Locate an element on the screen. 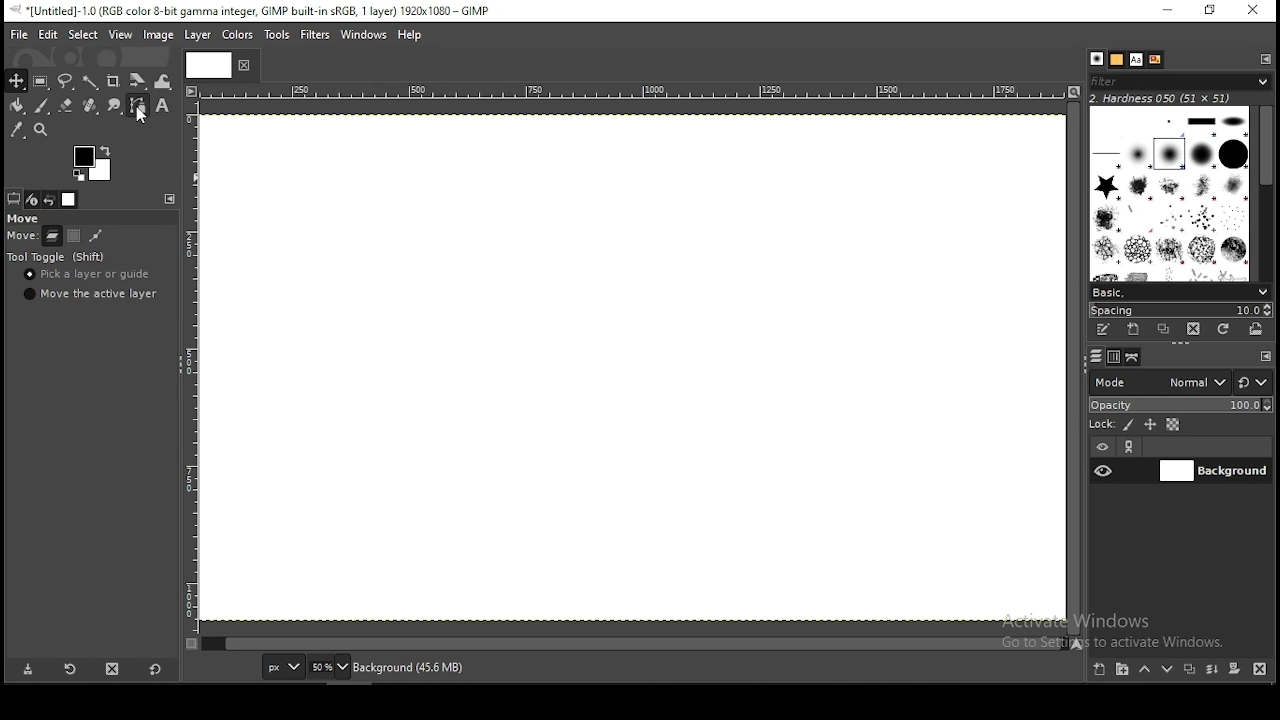  delete tool preset is located at coordinates (113, 672).